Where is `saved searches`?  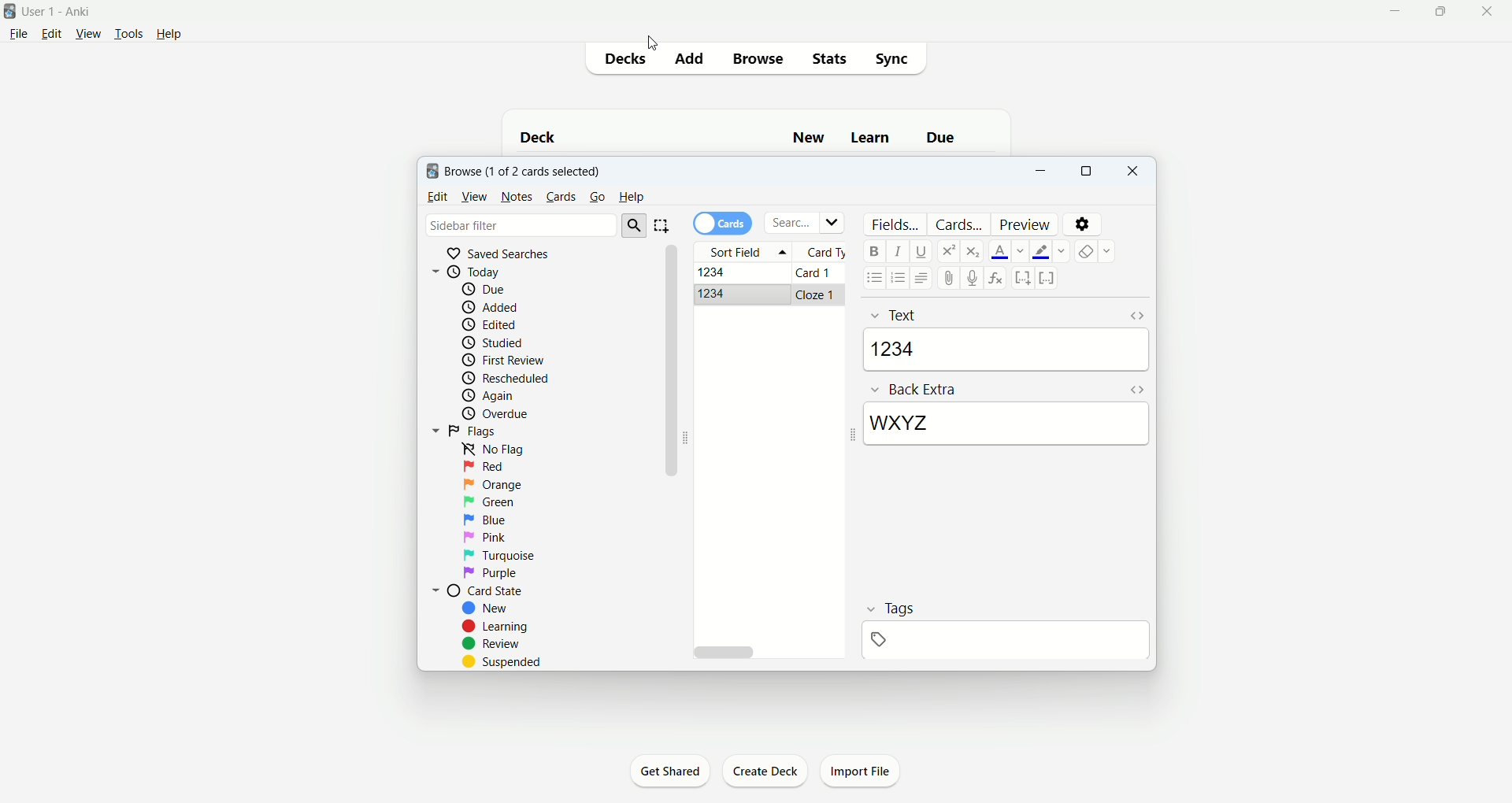 saved searches is located at coordinates (494, 253).